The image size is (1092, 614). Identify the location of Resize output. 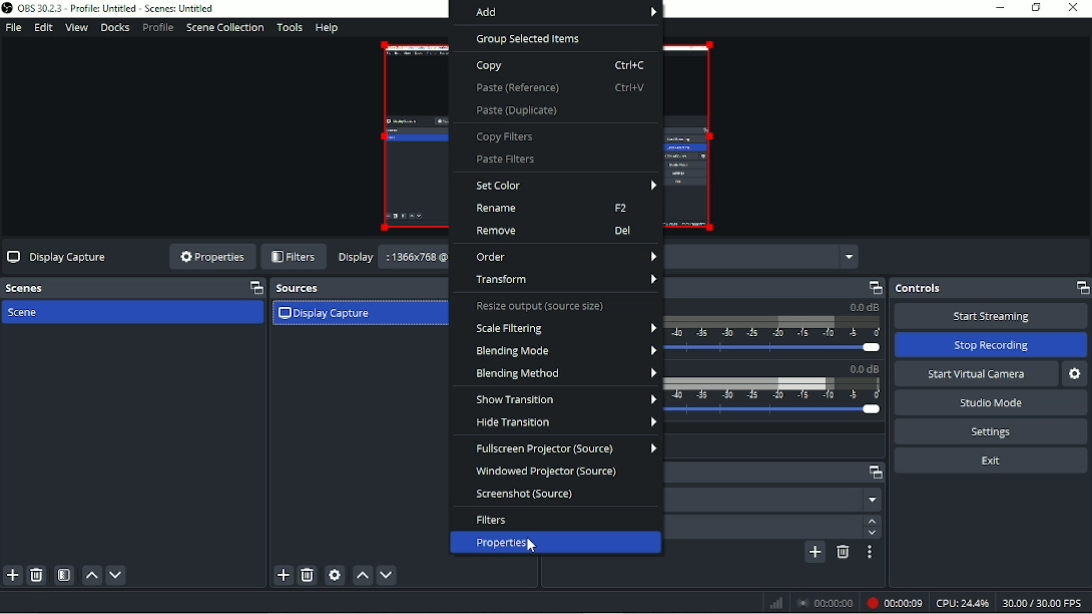
(542, 307).